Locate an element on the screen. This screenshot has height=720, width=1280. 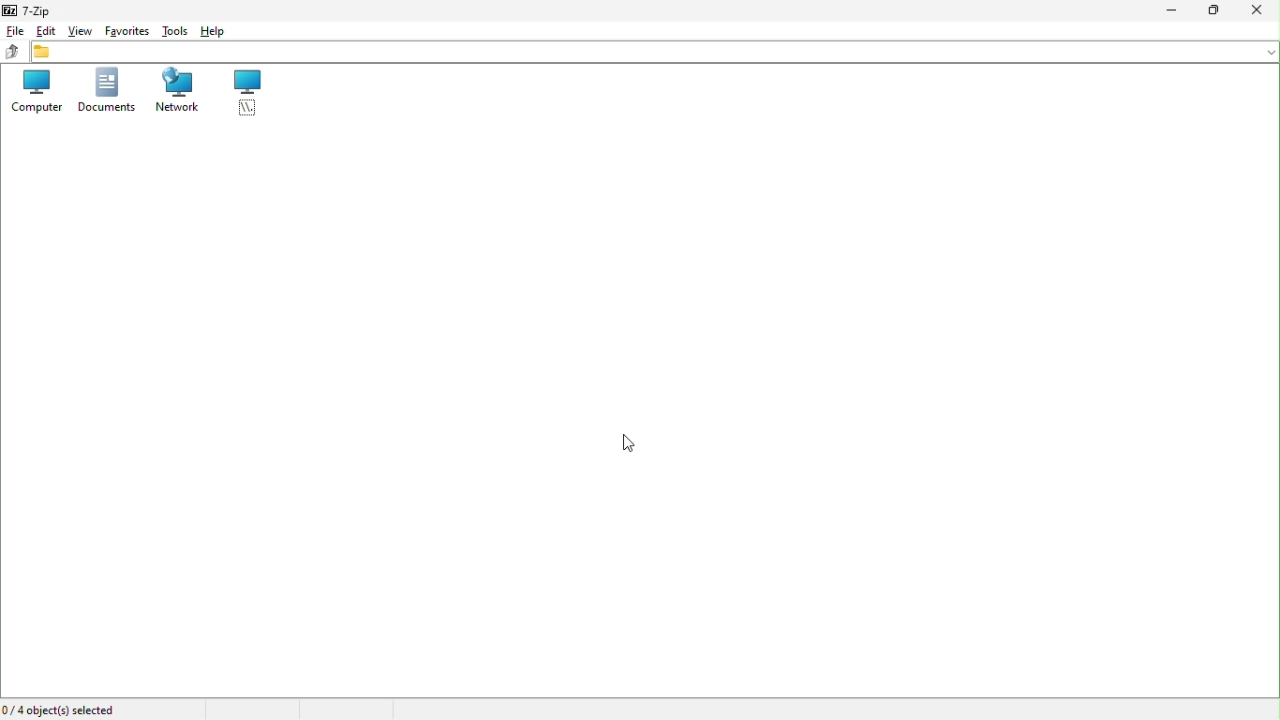
Minimize is located at coordinates (1167, 13).